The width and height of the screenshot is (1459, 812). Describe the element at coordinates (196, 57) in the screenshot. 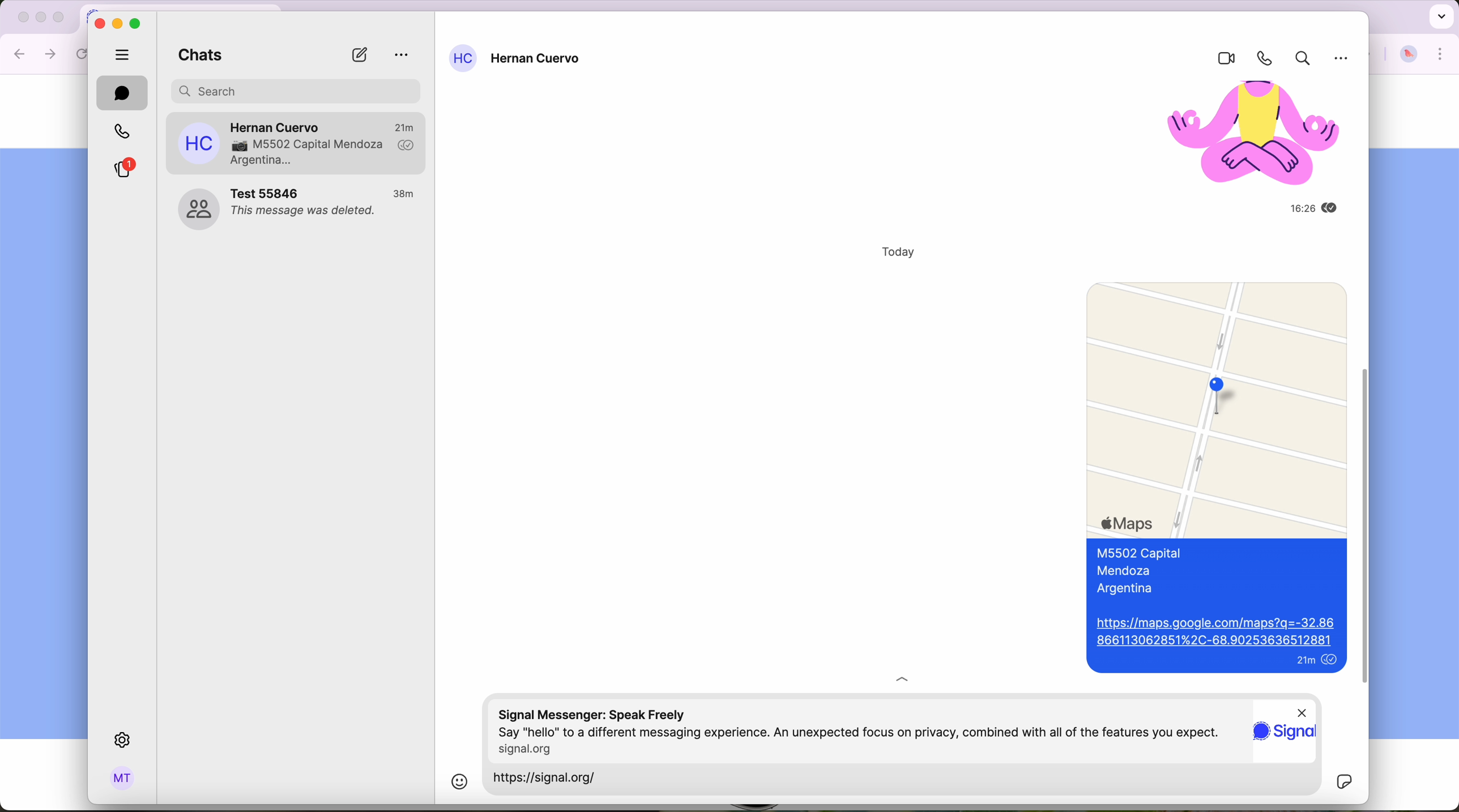

I see `chats` at that location.